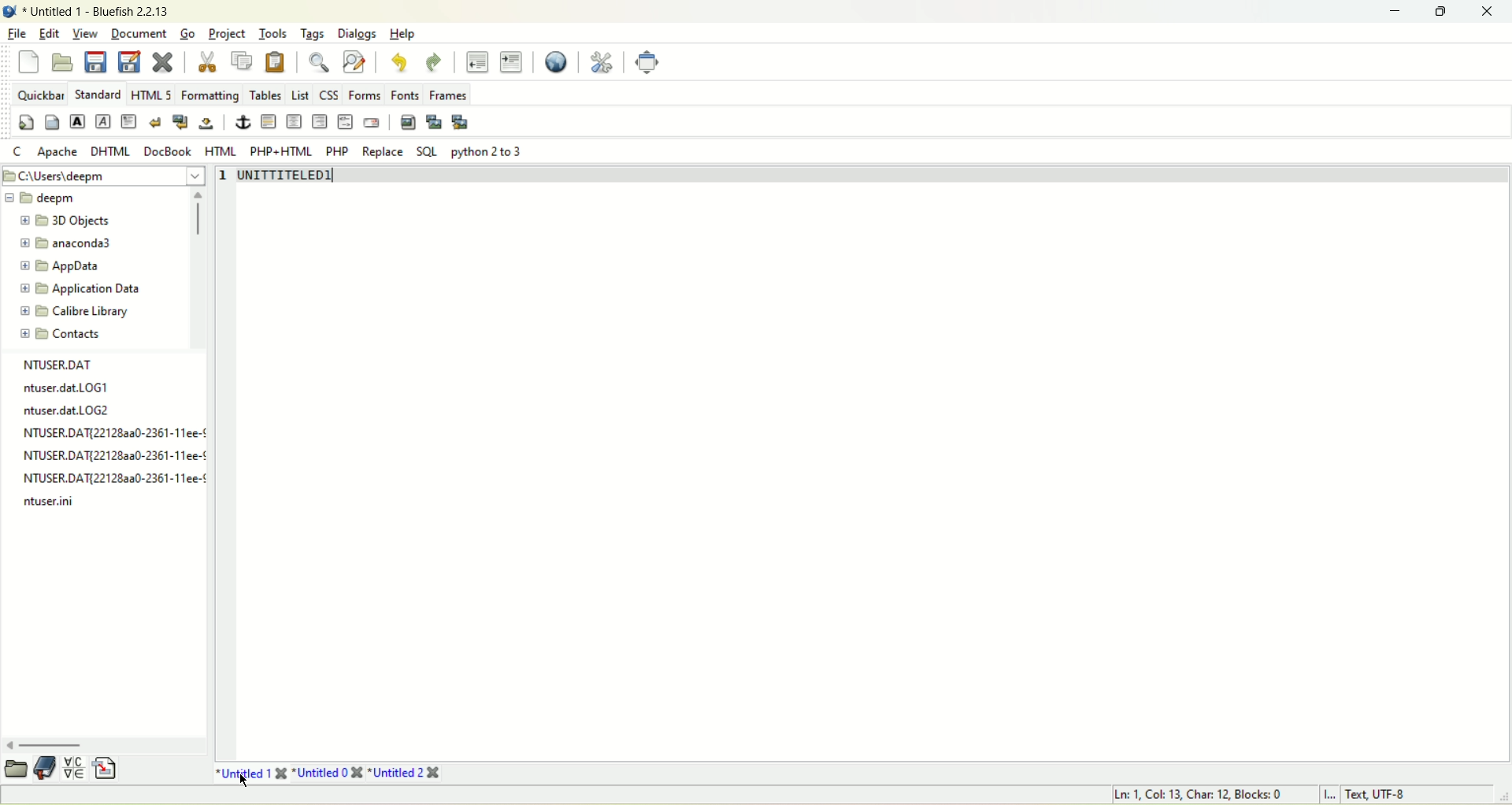 The height and width of the screenshot is (805, 1512). I want to click on PHP, so click(335, 150).